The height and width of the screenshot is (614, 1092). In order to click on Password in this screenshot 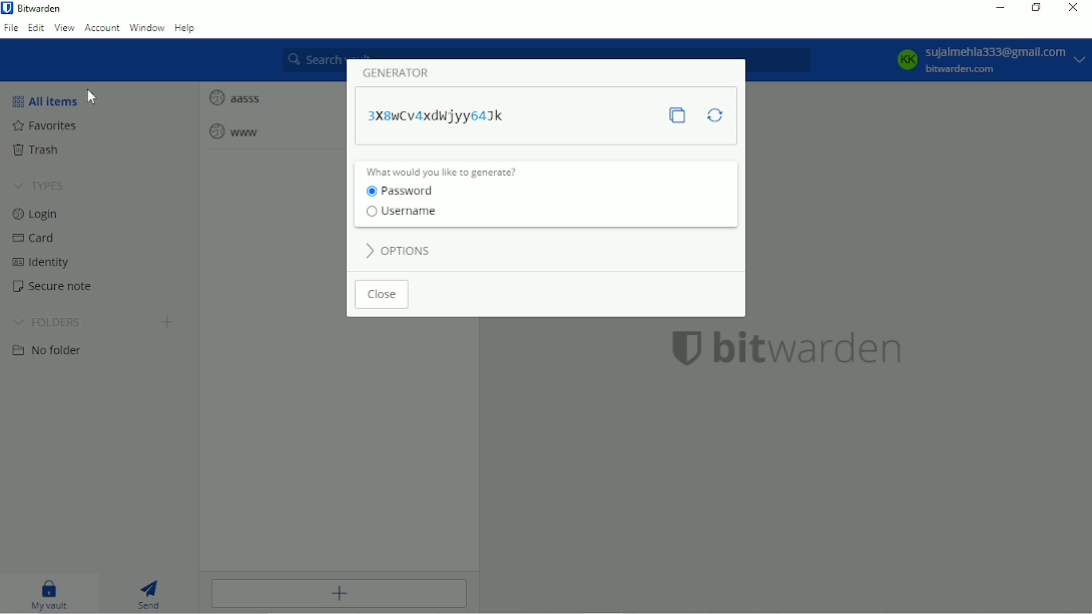, I will do `click(405, 192)`.